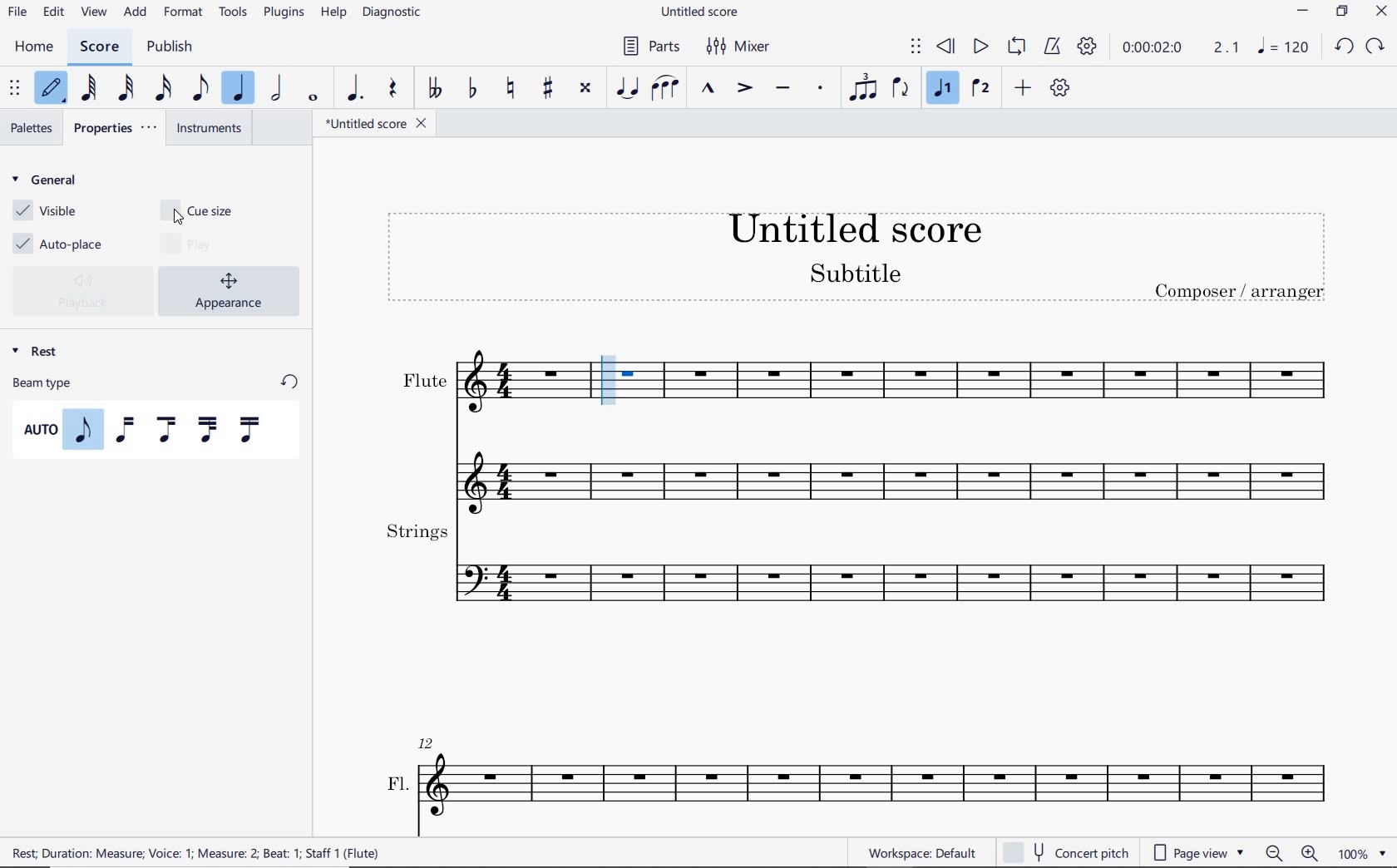 The image size is (1397, 868). I want to click on REST, so click(391, 90).